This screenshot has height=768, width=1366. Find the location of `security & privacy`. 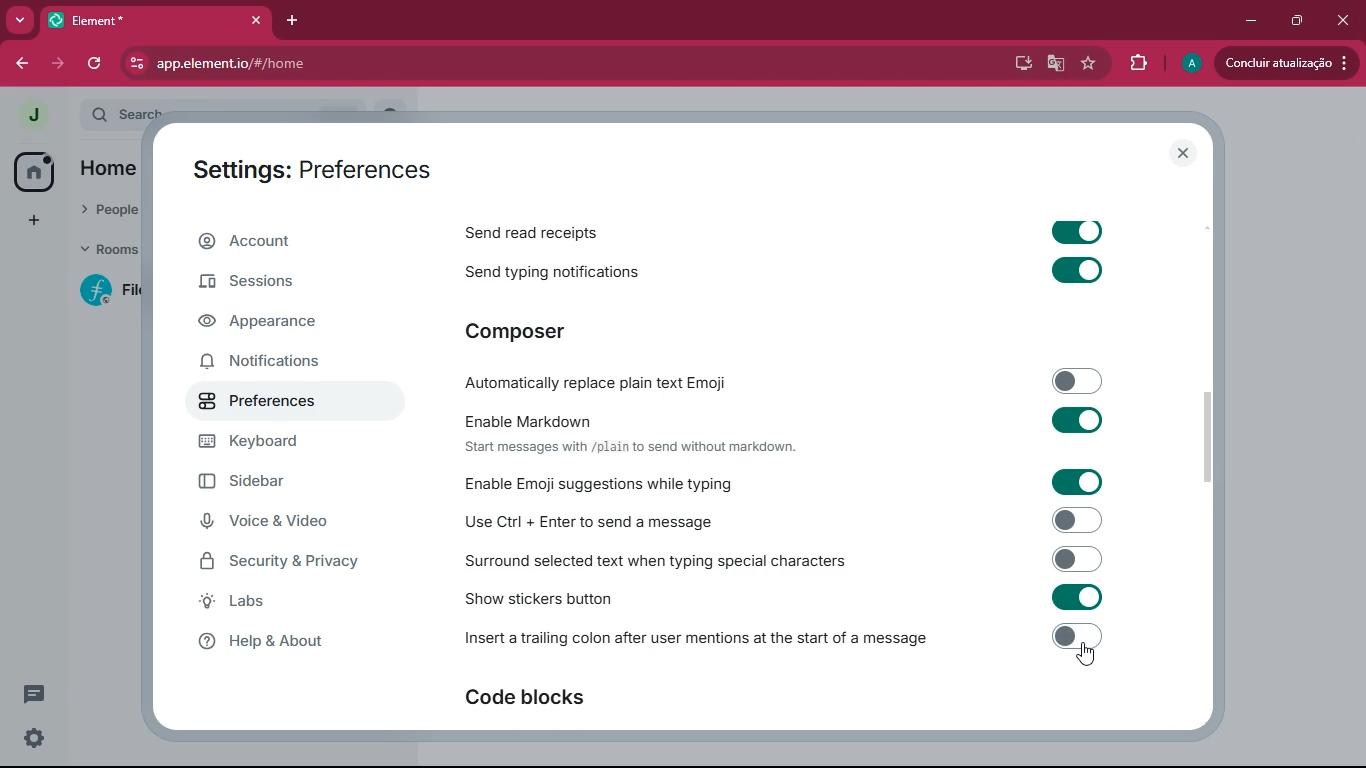

security & privacy is located at coordinates (287, 562).